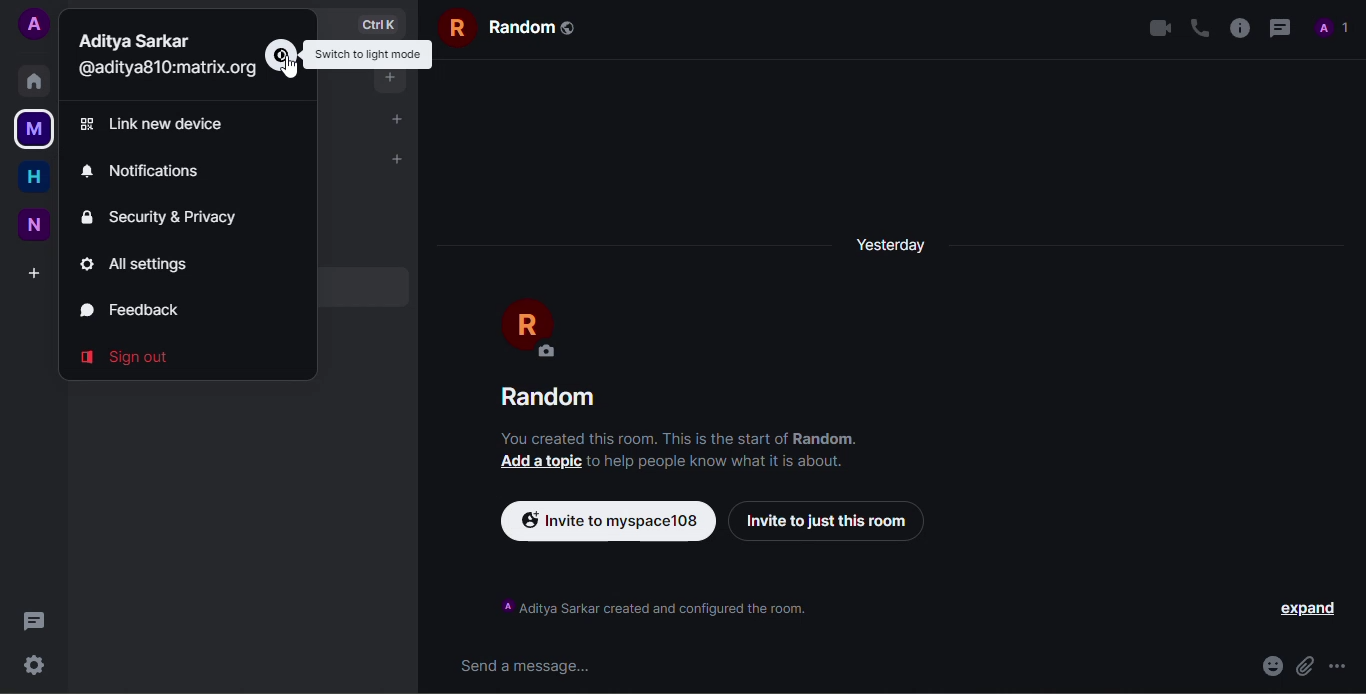  Describe the element at coordinates (36, 223) in the screenshot. I see `new` at that location.